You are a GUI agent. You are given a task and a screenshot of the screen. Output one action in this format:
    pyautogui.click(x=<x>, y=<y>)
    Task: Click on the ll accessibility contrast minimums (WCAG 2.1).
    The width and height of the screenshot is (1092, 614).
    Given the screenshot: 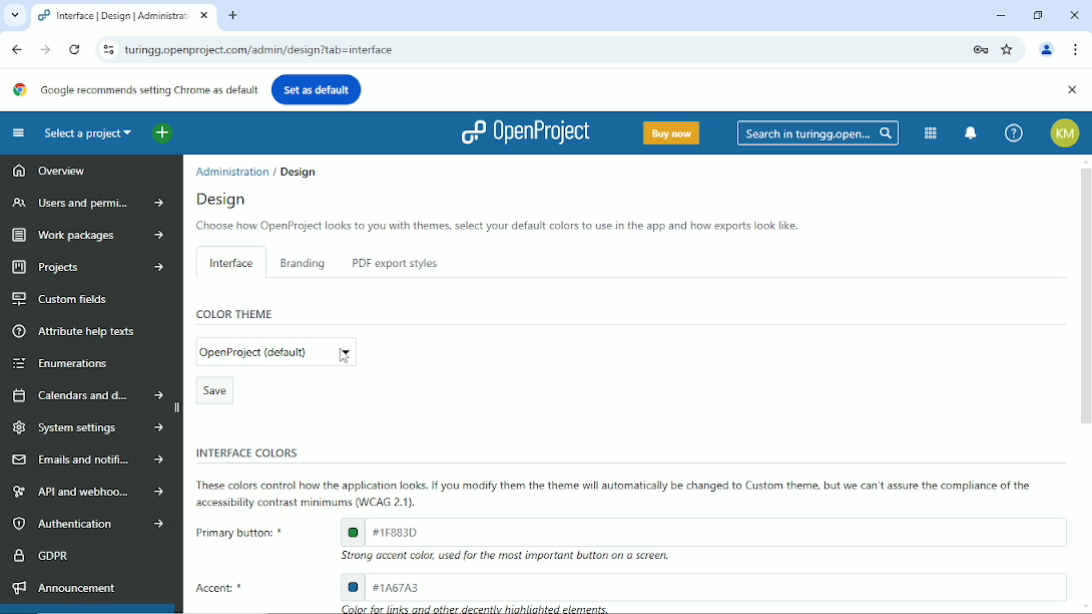 What is the action you would take?
    pyautogui.click(x=307, y=503)
    